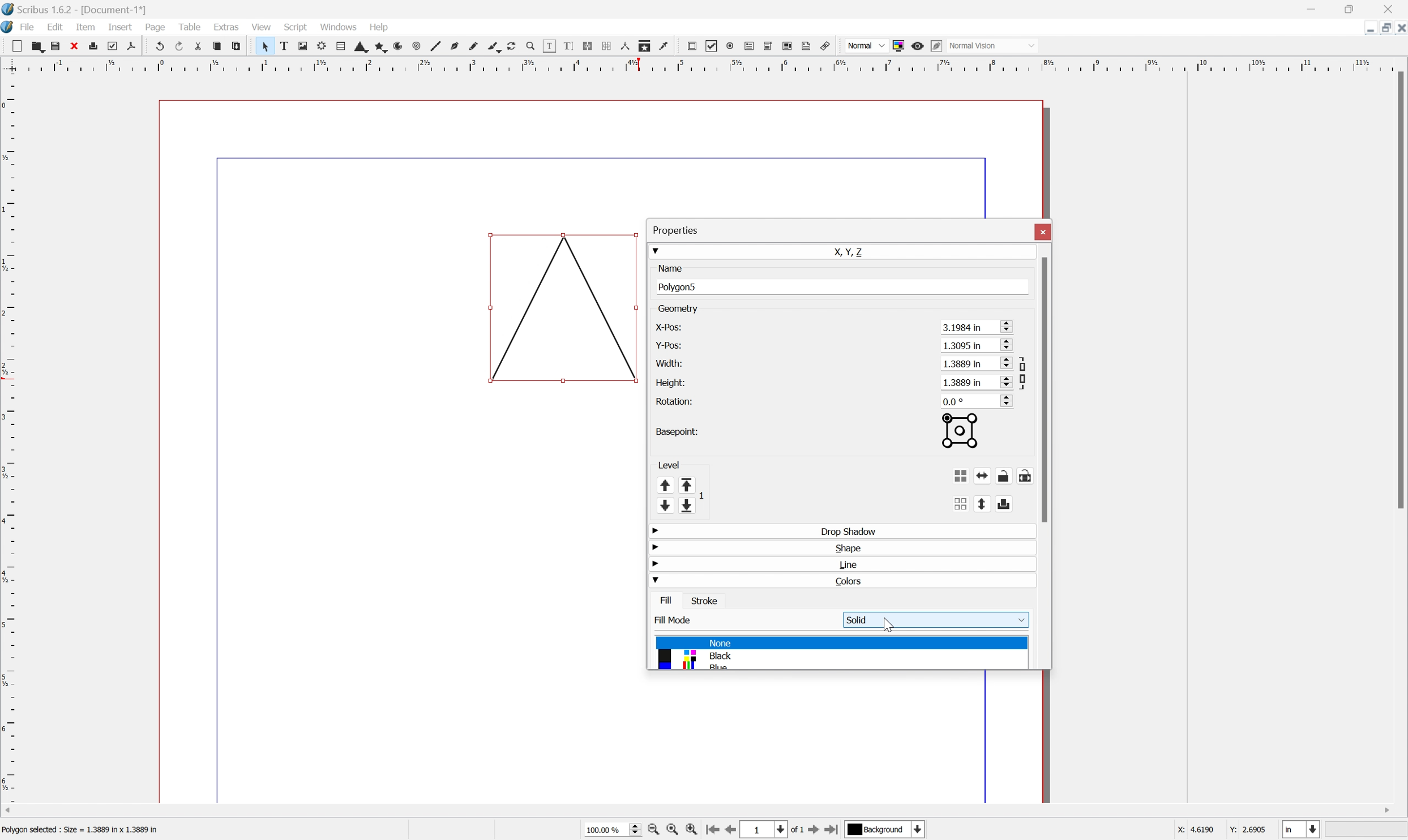 This screenshot has width=1408, height=840. I want to click on Scale, so click(9, 439).